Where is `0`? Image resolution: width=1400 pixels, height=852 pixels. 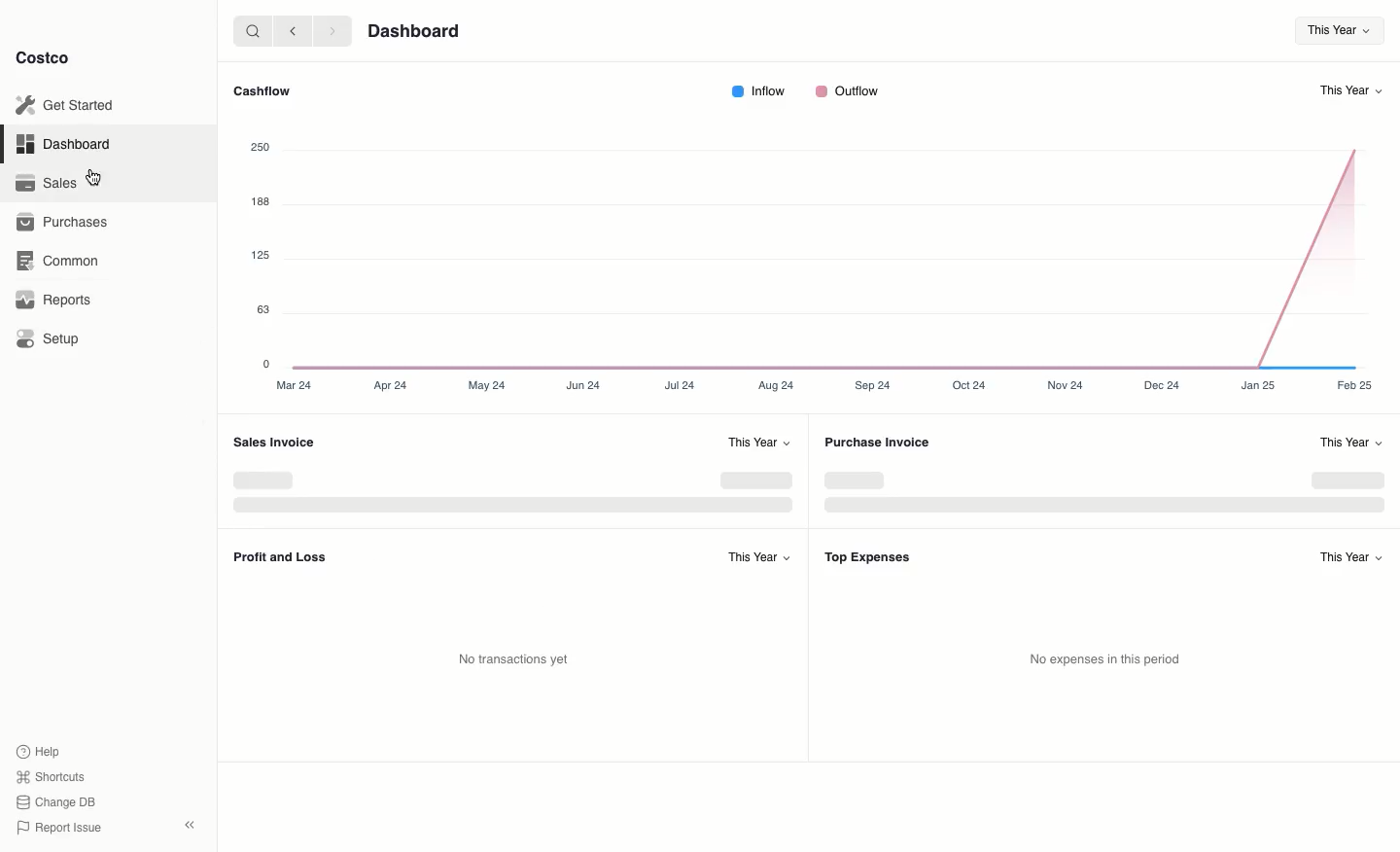 0 is located at coordinates (269, 364).